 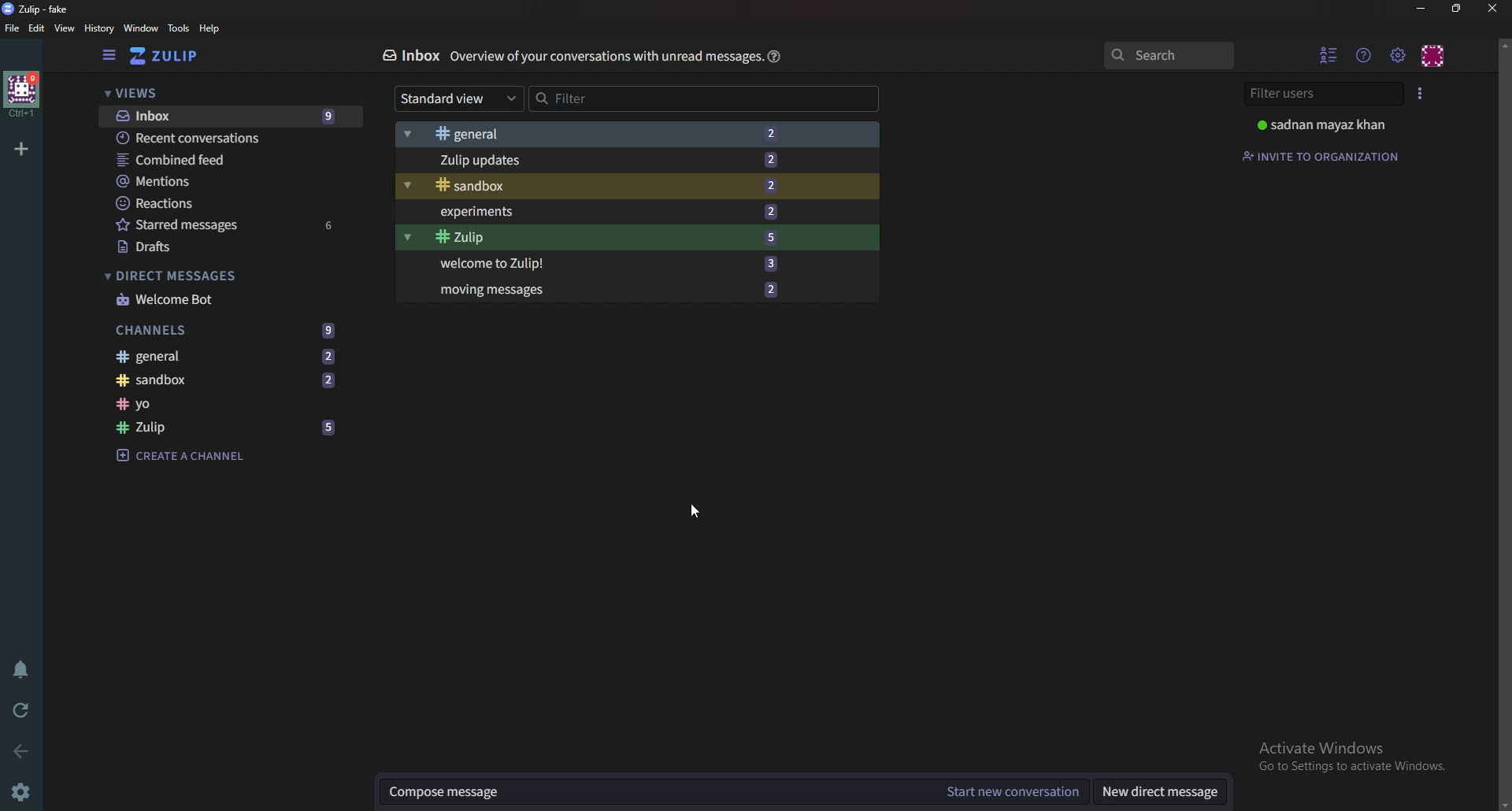 What do you see at coordinates (1399, 54) in the screenshot?
I see `main menu` at bounding box center [1399, 54].